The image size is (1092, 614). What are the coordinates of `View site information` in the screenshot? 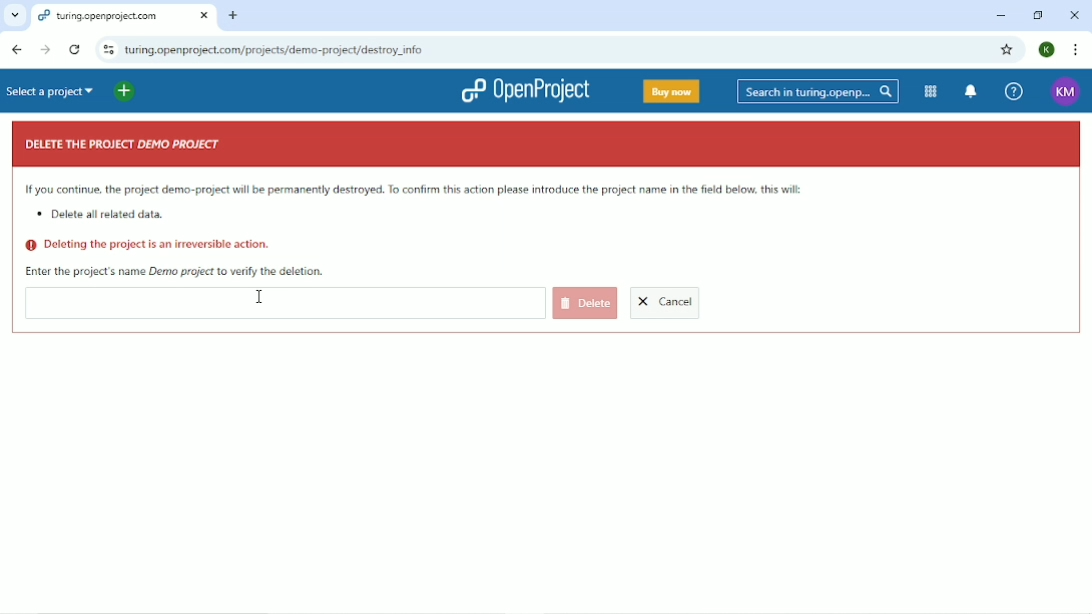 It's located at (108, 48).